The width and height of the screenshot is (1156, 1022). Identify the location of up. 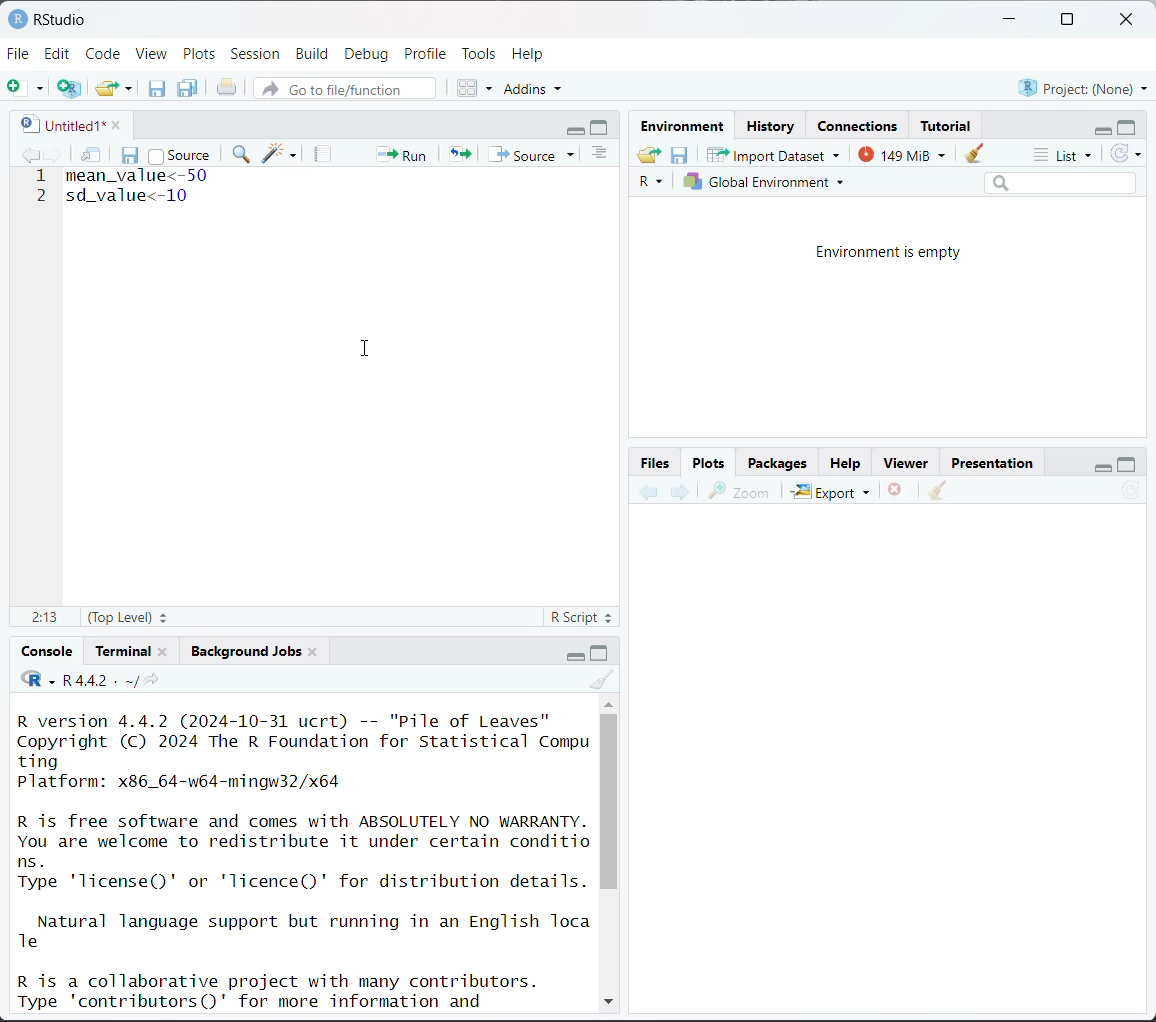
(608, 702).